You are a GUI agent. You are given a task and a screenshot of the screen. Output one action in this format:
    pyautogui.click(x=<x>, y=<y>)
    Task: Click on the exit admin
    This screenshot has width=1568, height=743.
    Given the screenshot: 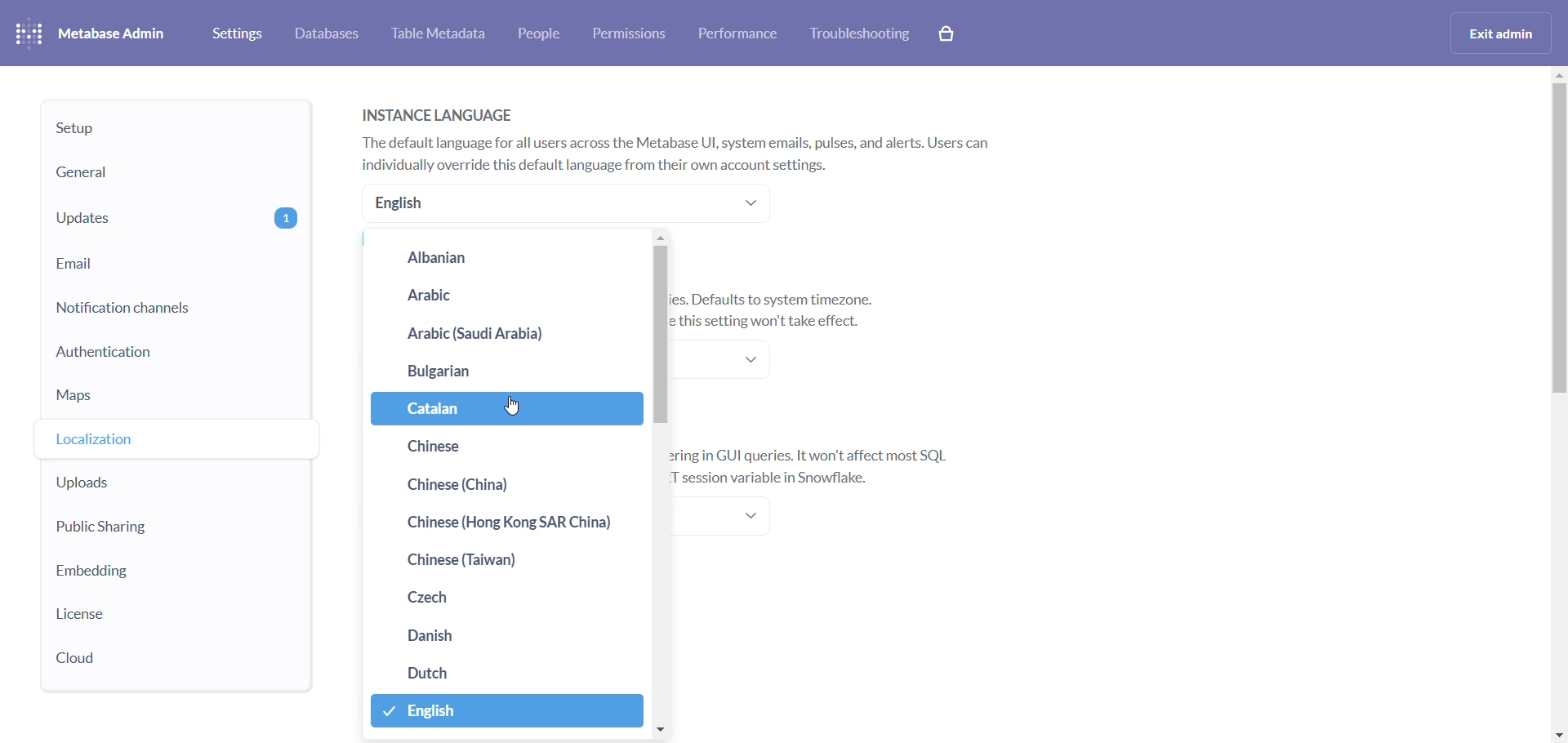 What is the action you would take?
    pyautogui.click(x=1502, y=33)
    